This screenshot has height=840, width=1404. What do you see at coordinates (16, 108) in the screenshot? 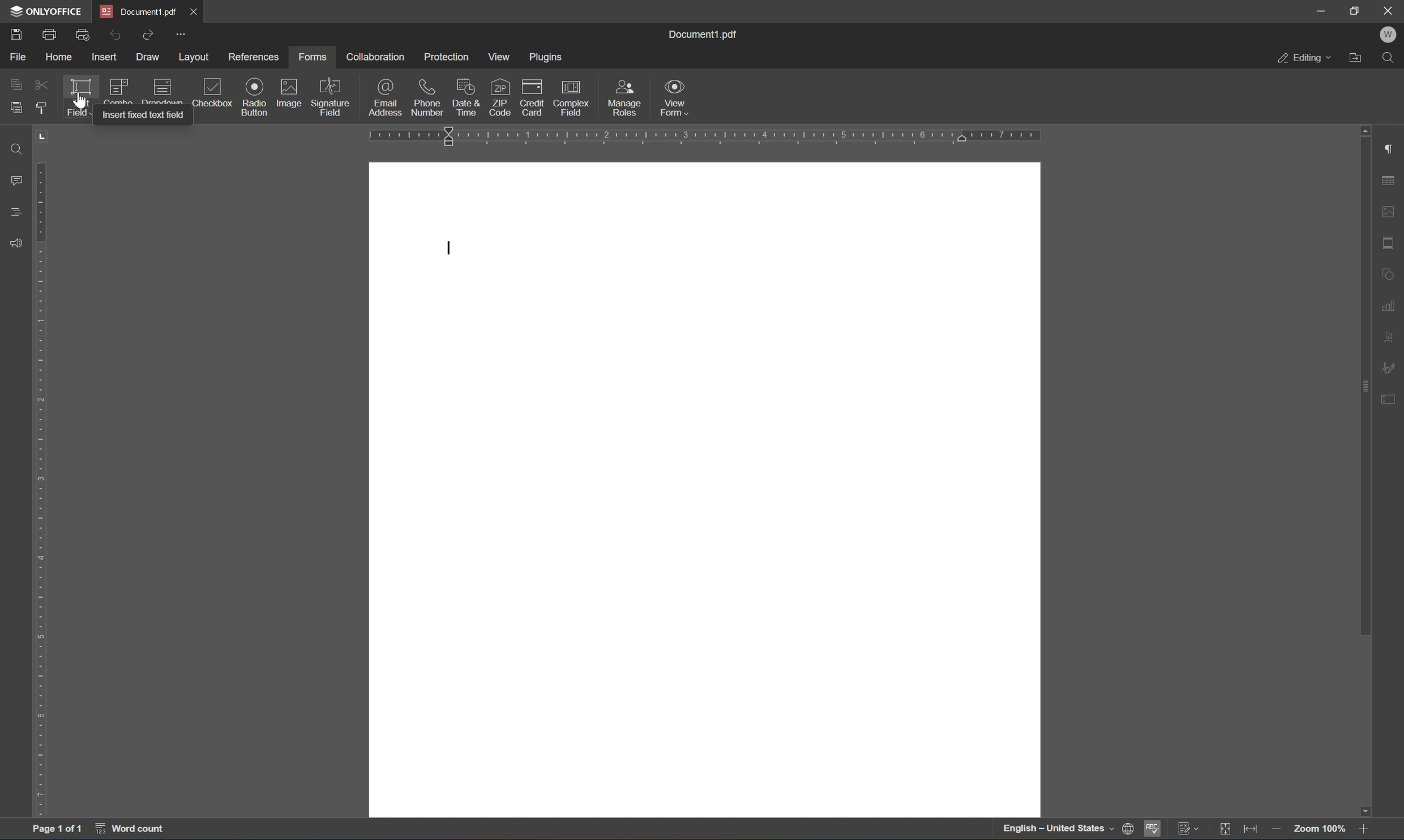
I see `paste` at bounding box center [16, 108].